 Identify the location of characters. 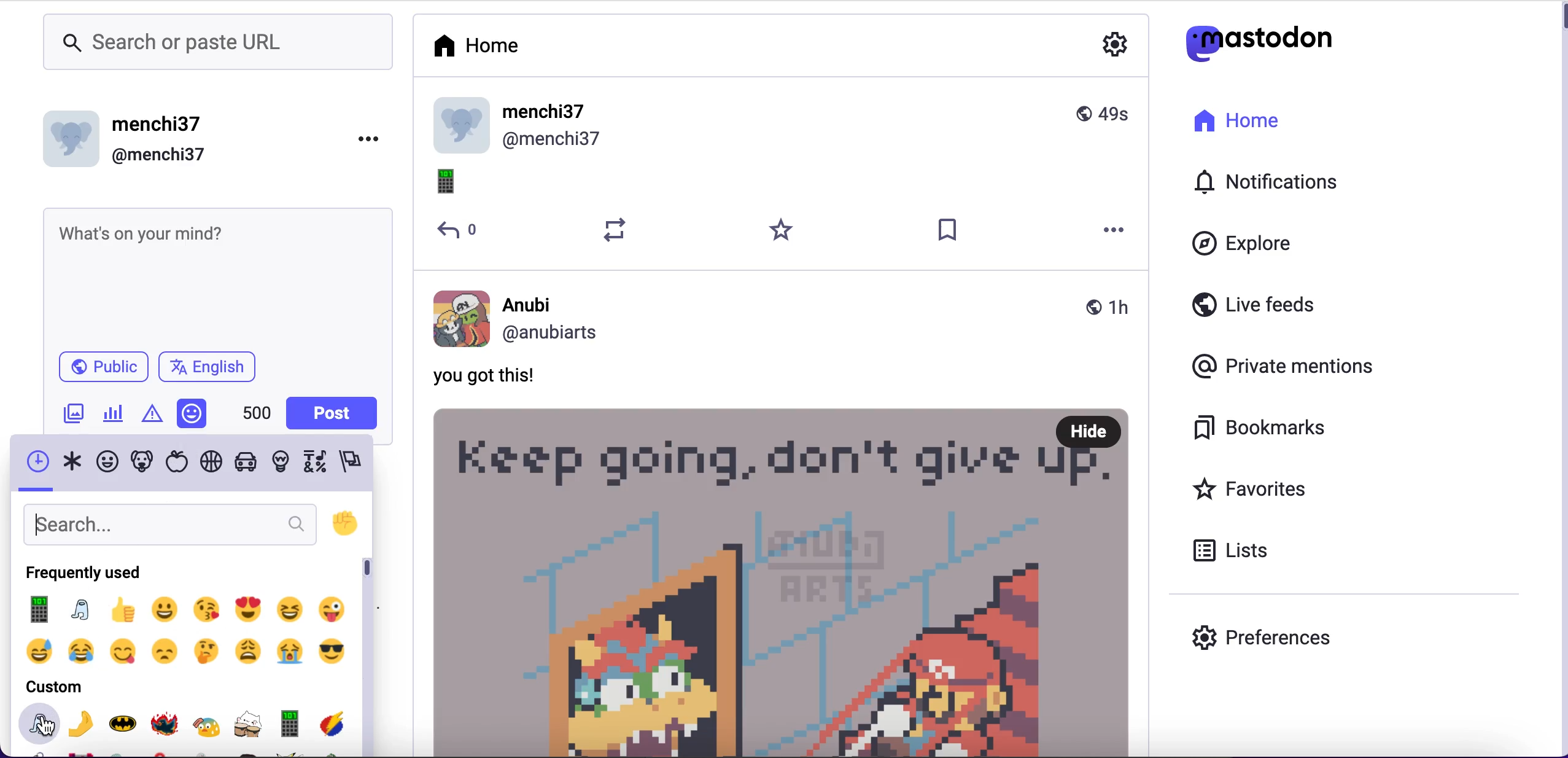
(258, 414).